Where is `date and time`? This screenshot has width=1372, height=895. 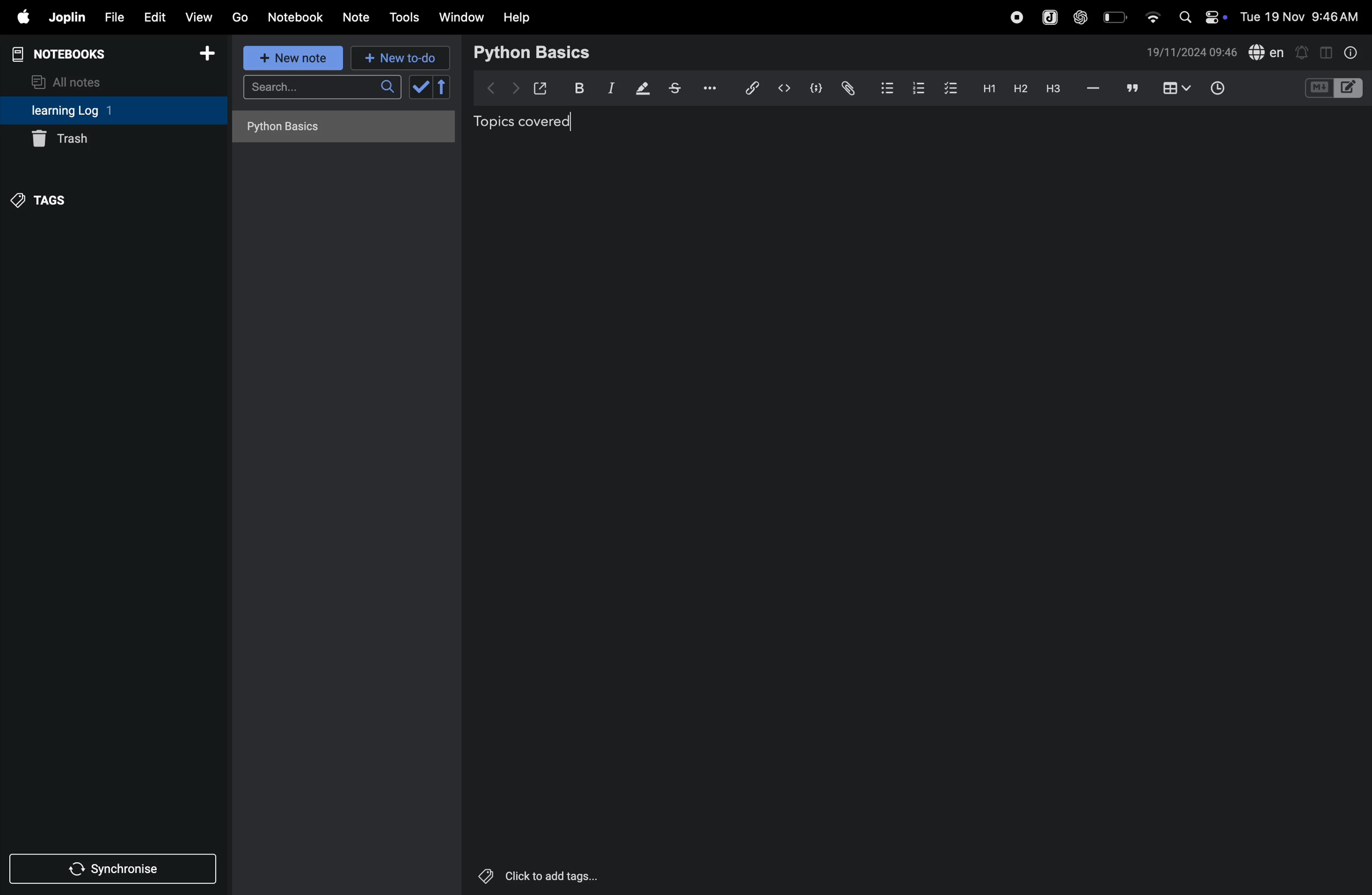
date and time is located at coordinates (1192, 52).